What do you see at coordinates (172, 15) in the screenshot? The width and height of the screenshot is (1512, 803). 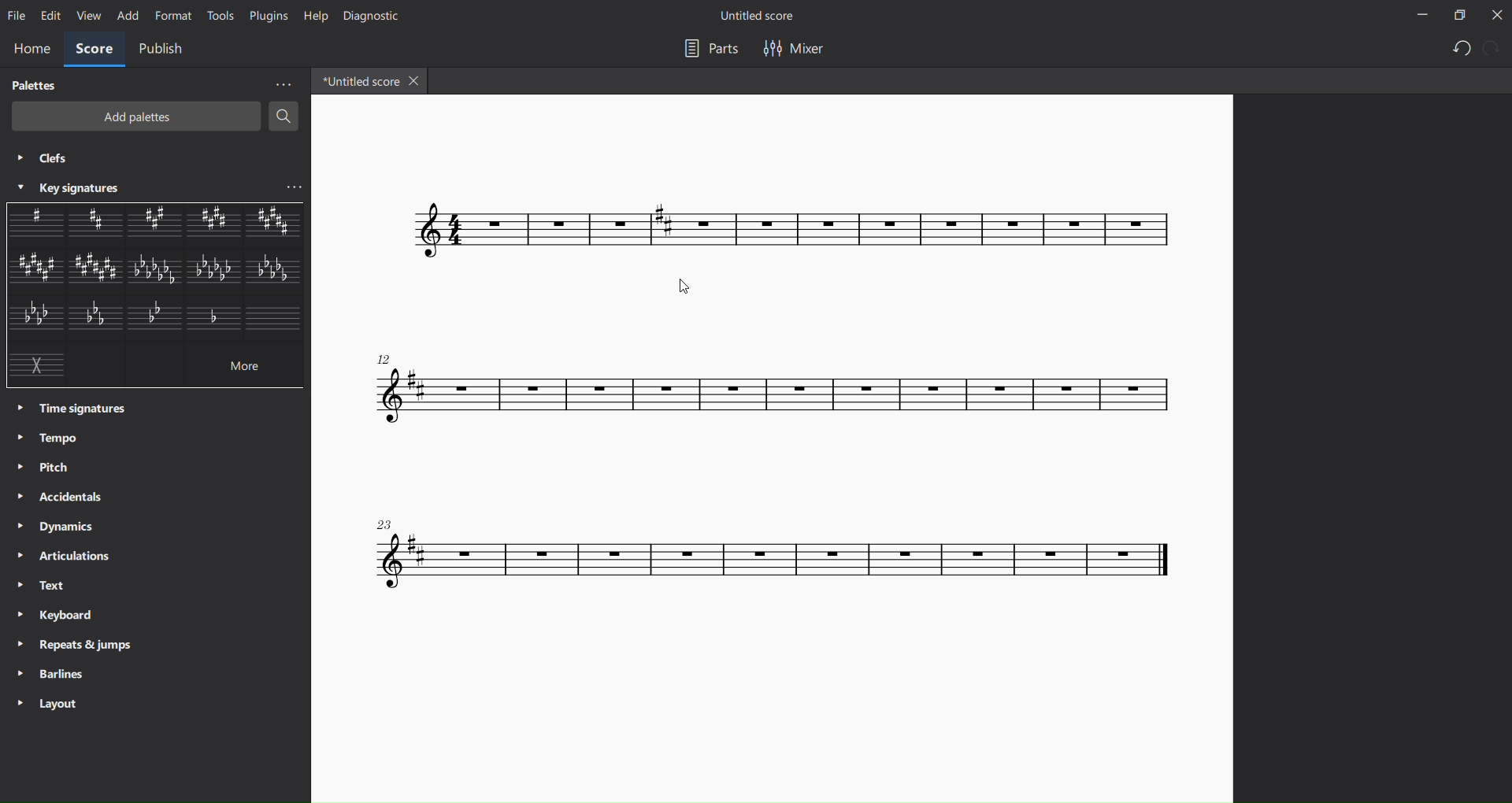 I see `format` at bounding box center [172, 15].